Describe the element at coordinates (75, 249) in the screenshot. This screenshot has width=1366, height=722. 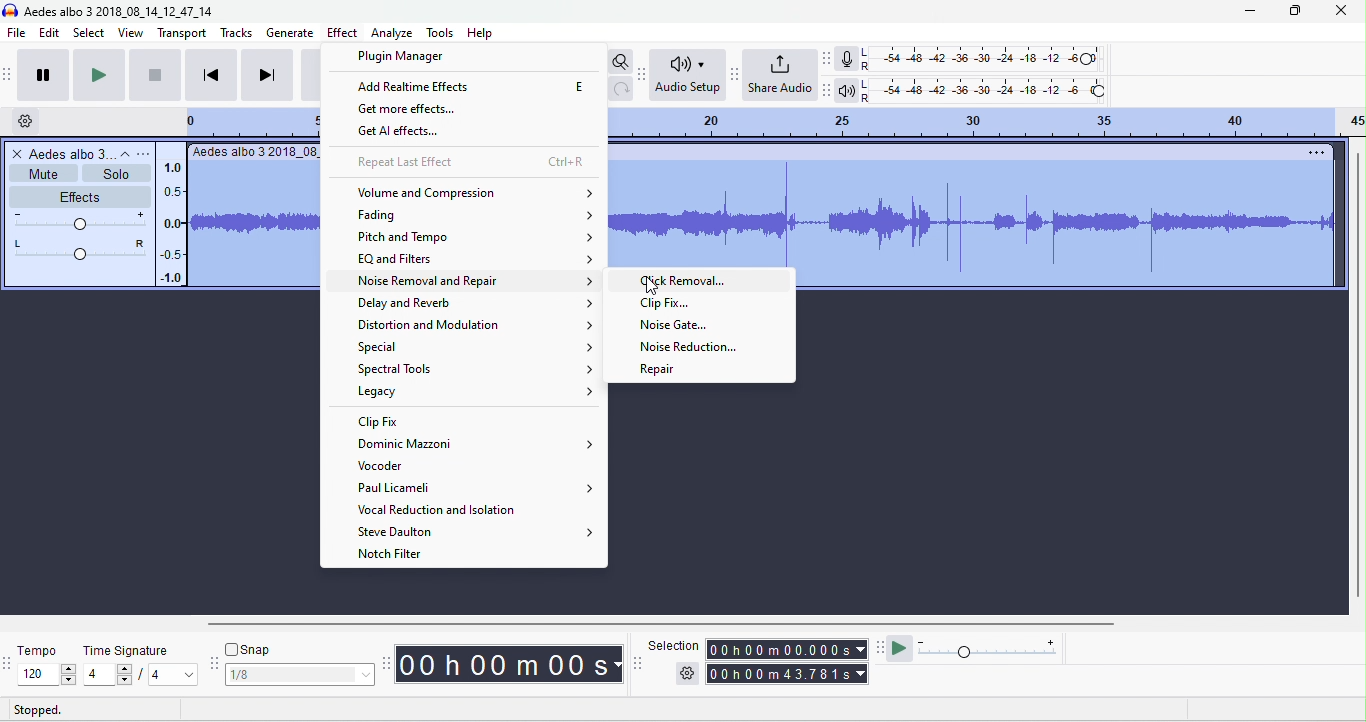
I see `pan` at that location.